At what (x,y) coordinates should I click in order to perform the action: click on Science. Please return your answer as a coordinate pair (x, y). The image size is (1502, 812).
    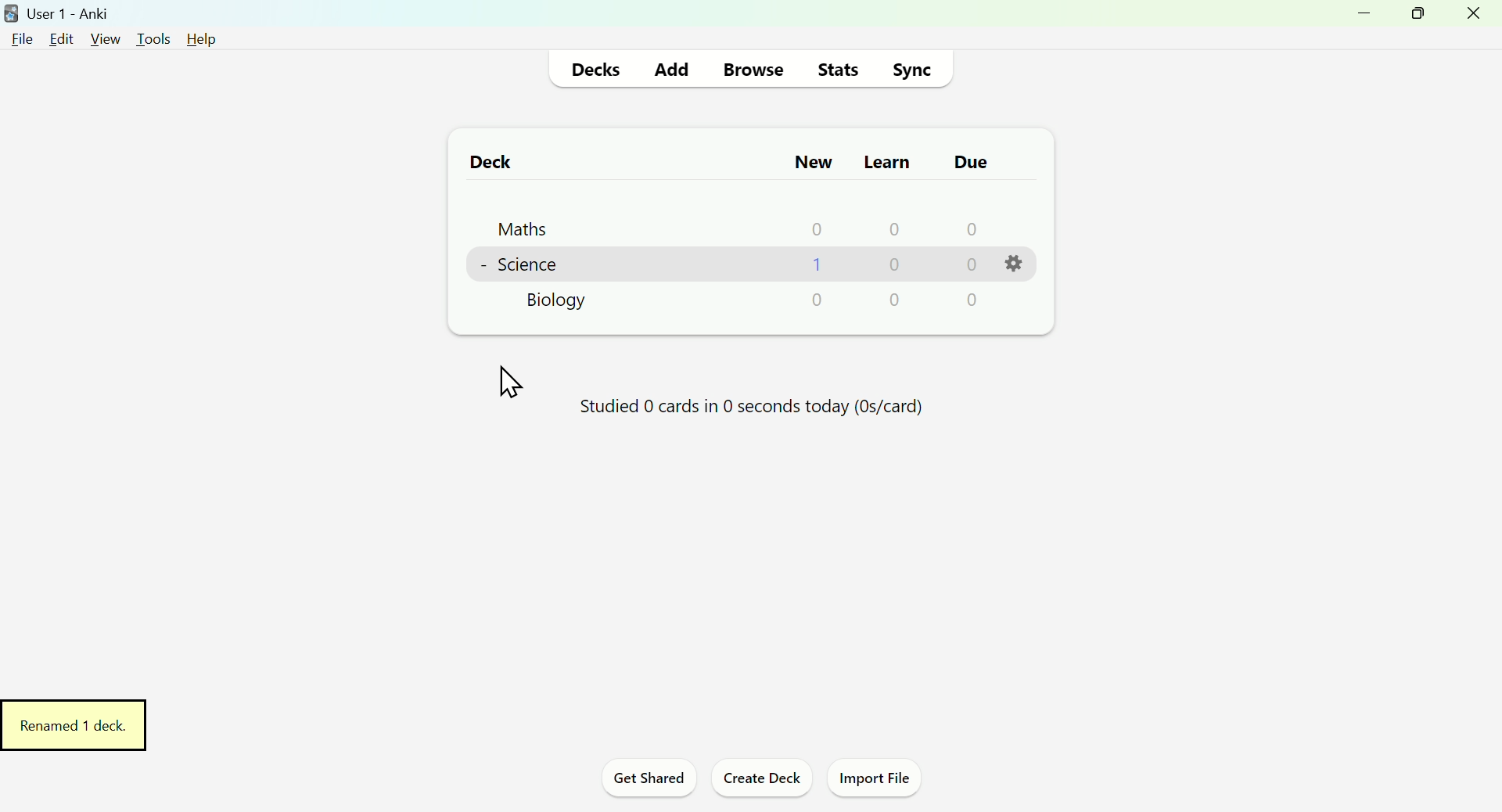
    Looking at the image, I should click on (522, 263).